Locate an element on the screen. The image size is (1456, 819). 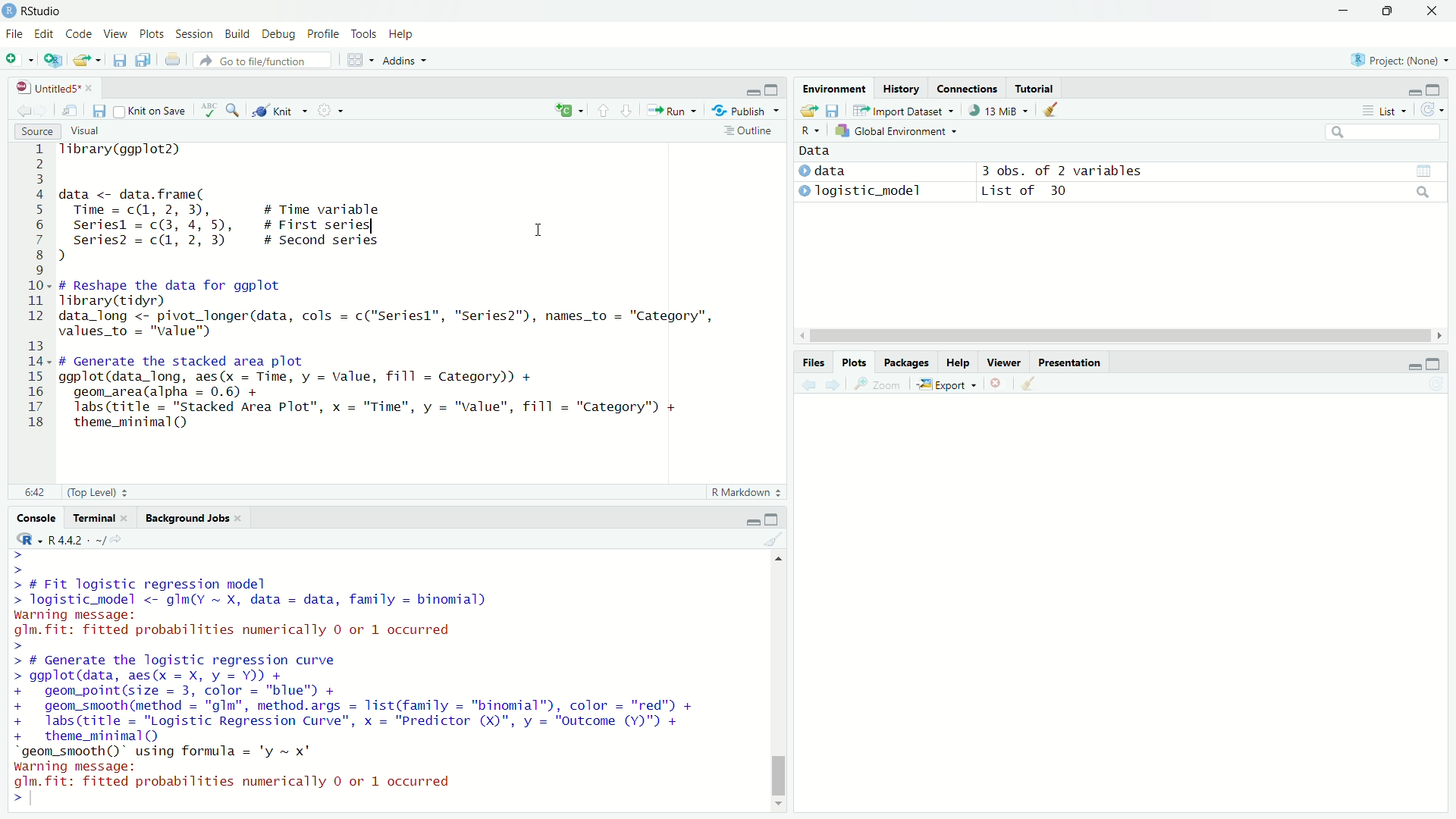
Environment is located at coordinates (833, 88).